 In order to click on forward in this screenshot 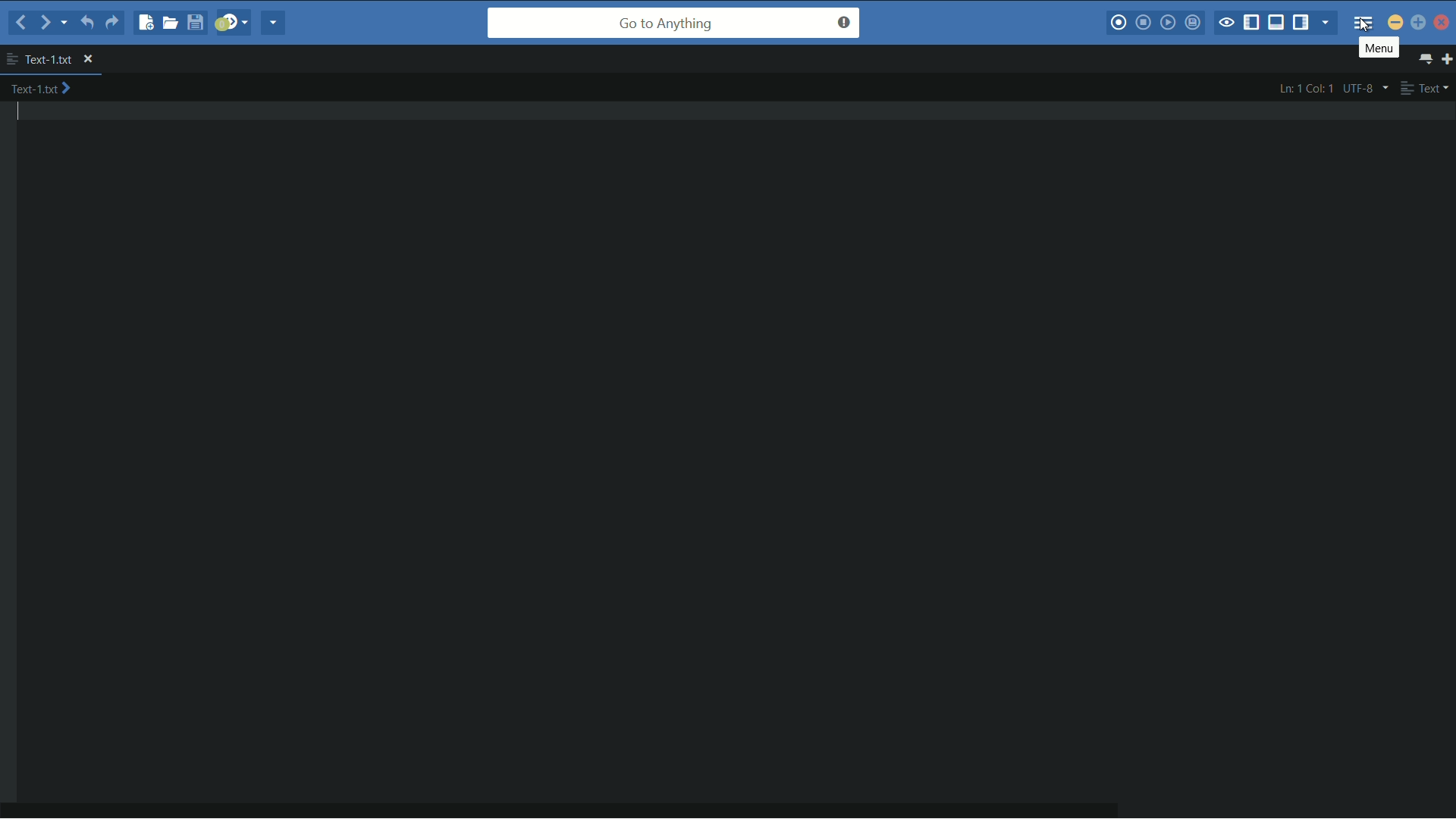, I will do `click(44, 24)`.